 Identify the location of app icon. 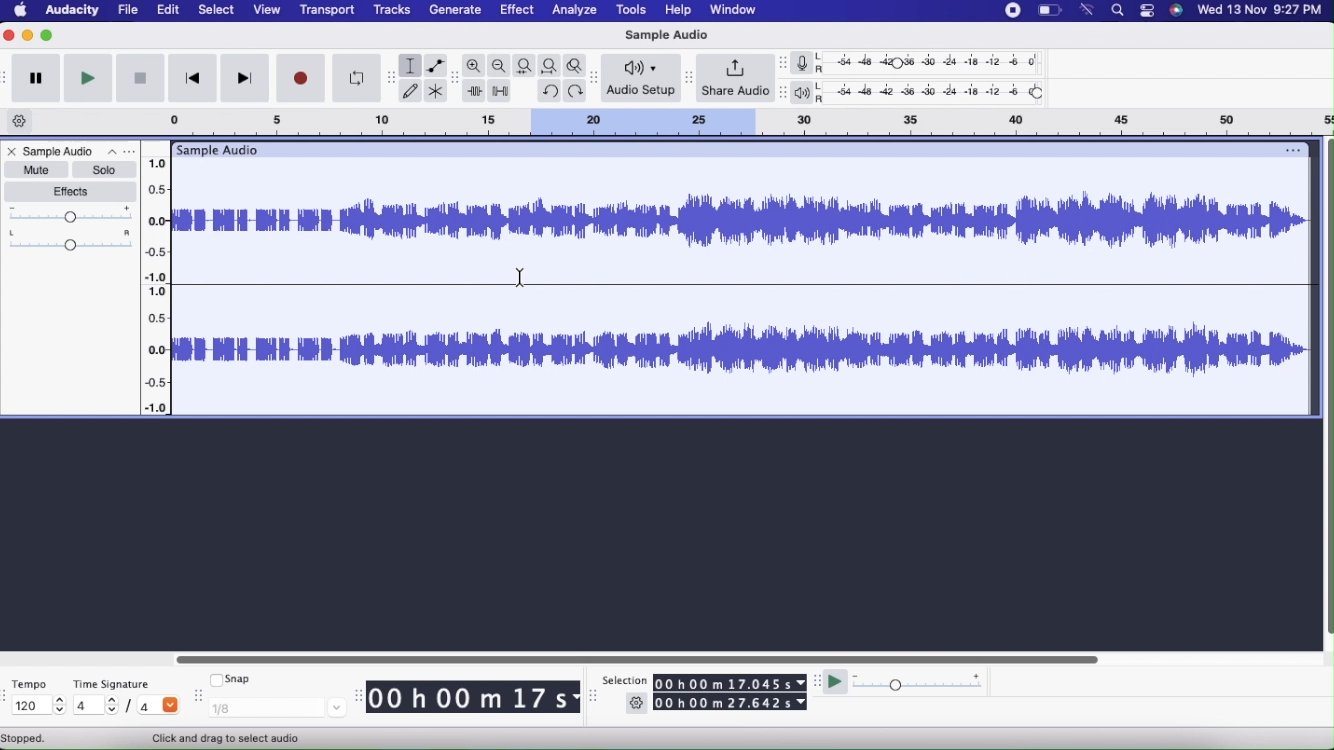
(1144, 11).